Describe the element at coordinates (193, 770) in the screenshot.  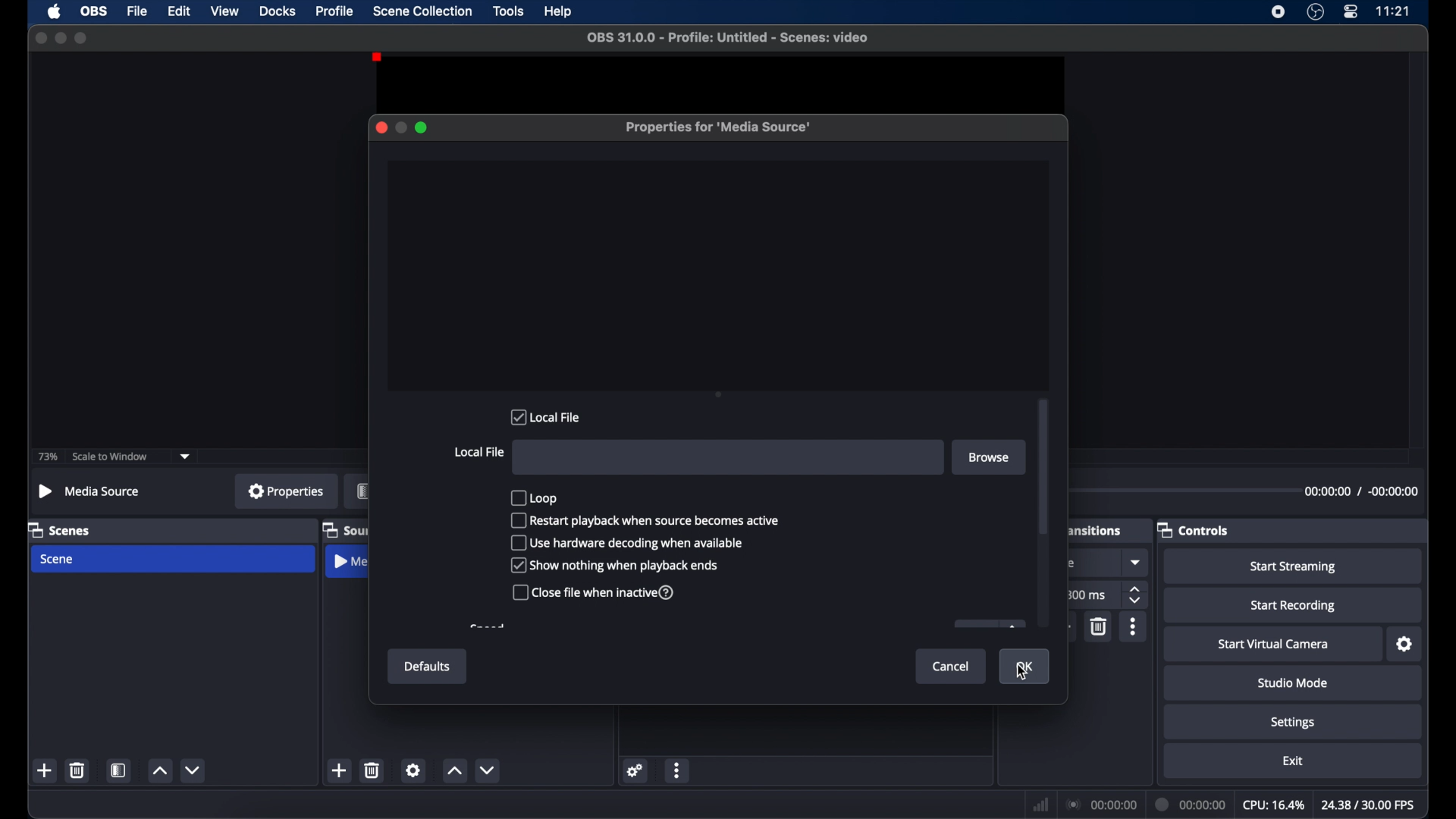
I see `decrement` at that location.